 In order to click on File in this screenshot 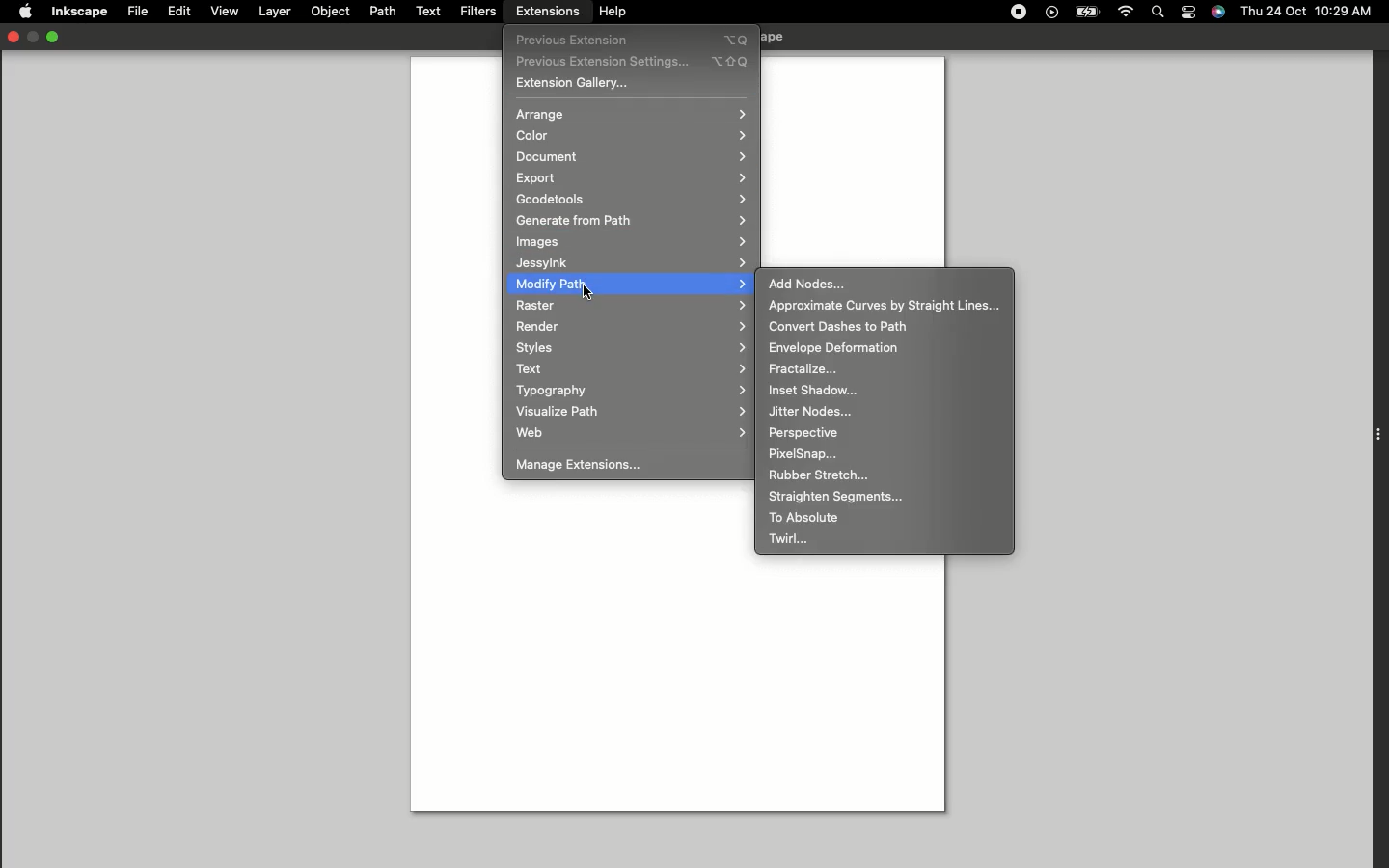, I will do `click(140, 12)`.